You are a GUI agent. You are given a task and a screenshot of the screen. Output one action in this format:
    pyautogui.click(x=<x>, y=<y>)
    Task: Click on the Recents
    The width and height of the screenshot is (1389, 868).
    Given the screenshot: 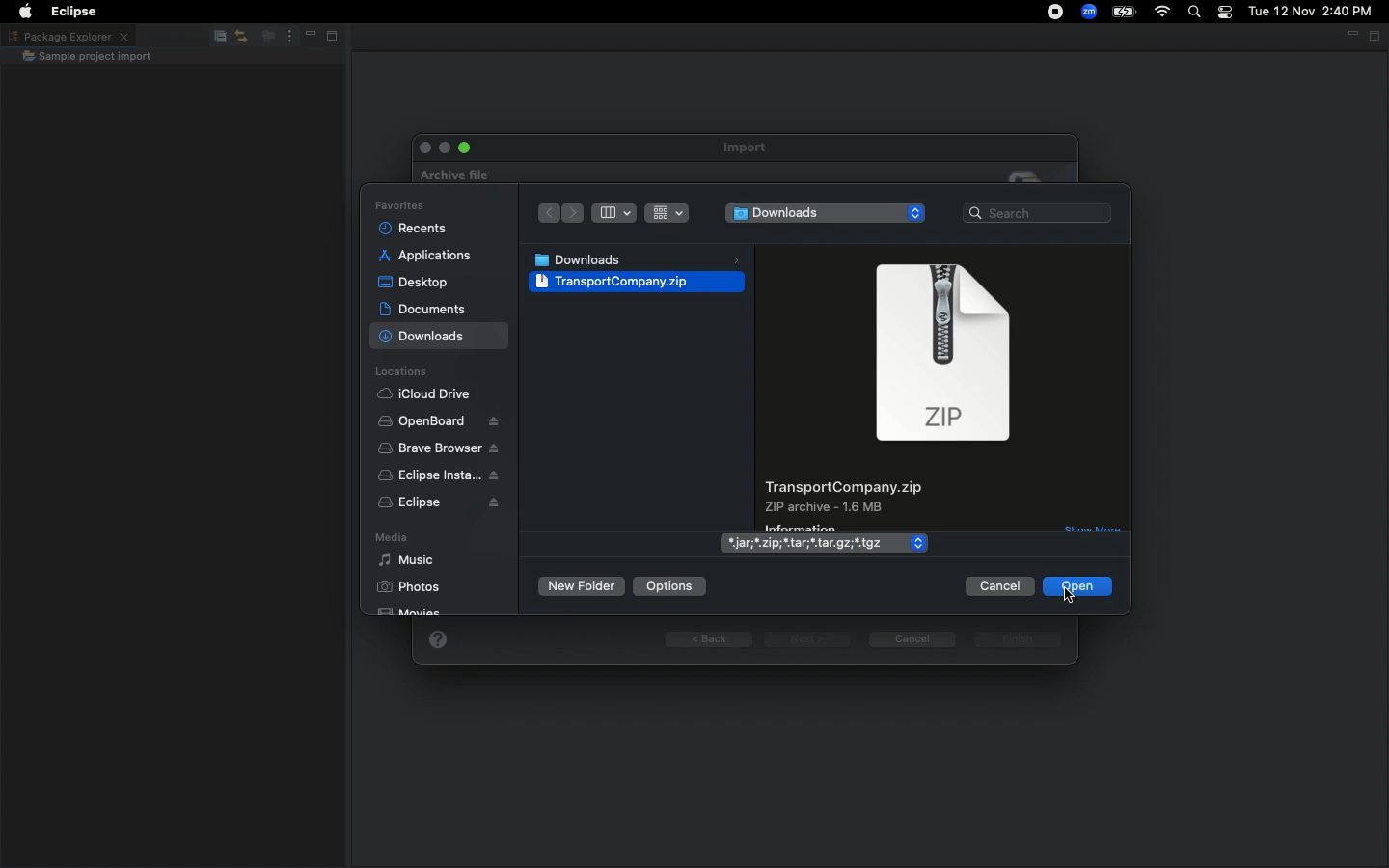 What is the action you would take?
    pyautogui.click(x=412, y=229)
    